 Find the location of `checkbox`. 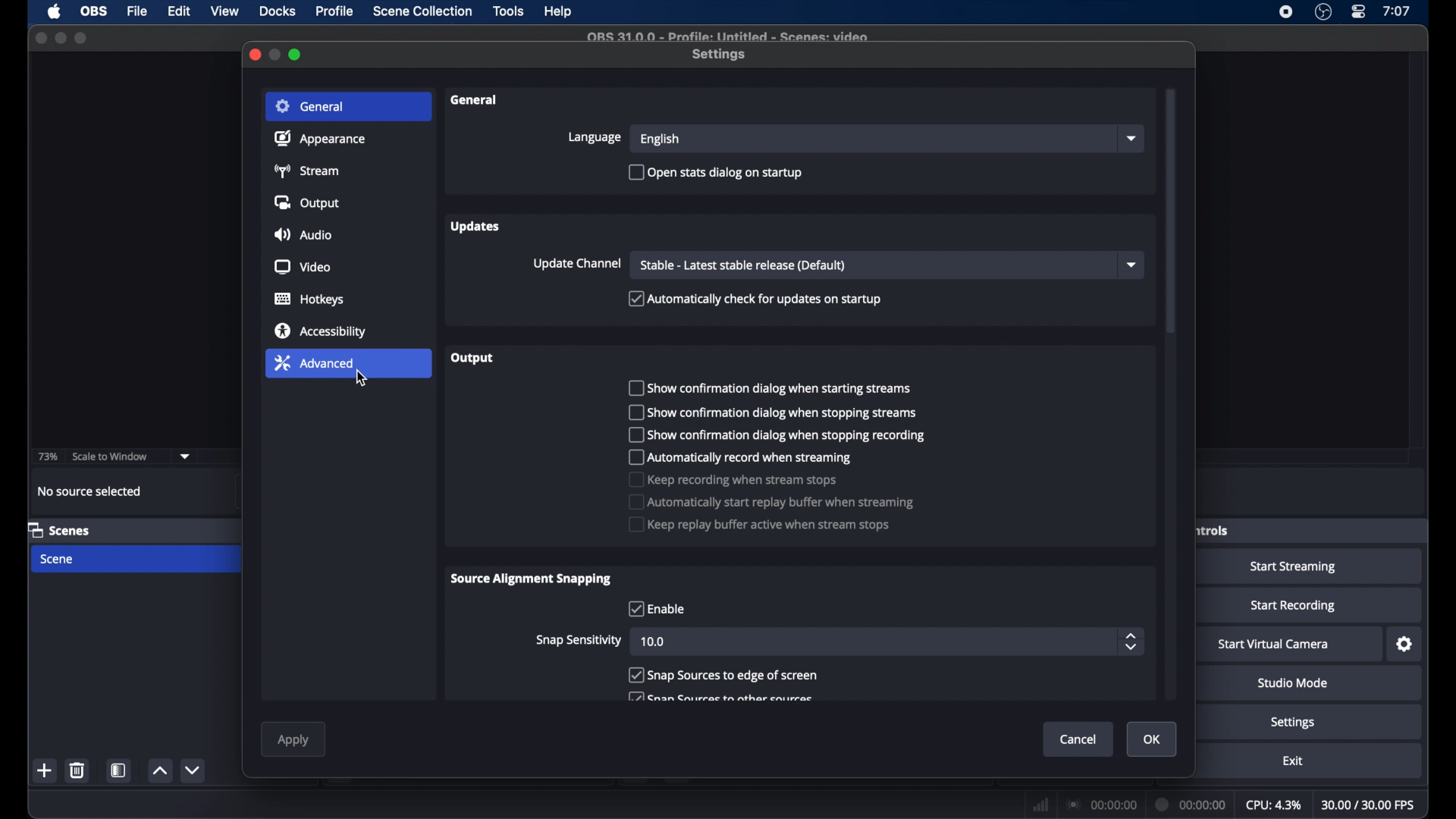

checkbox is located at coordinates (770, 412).